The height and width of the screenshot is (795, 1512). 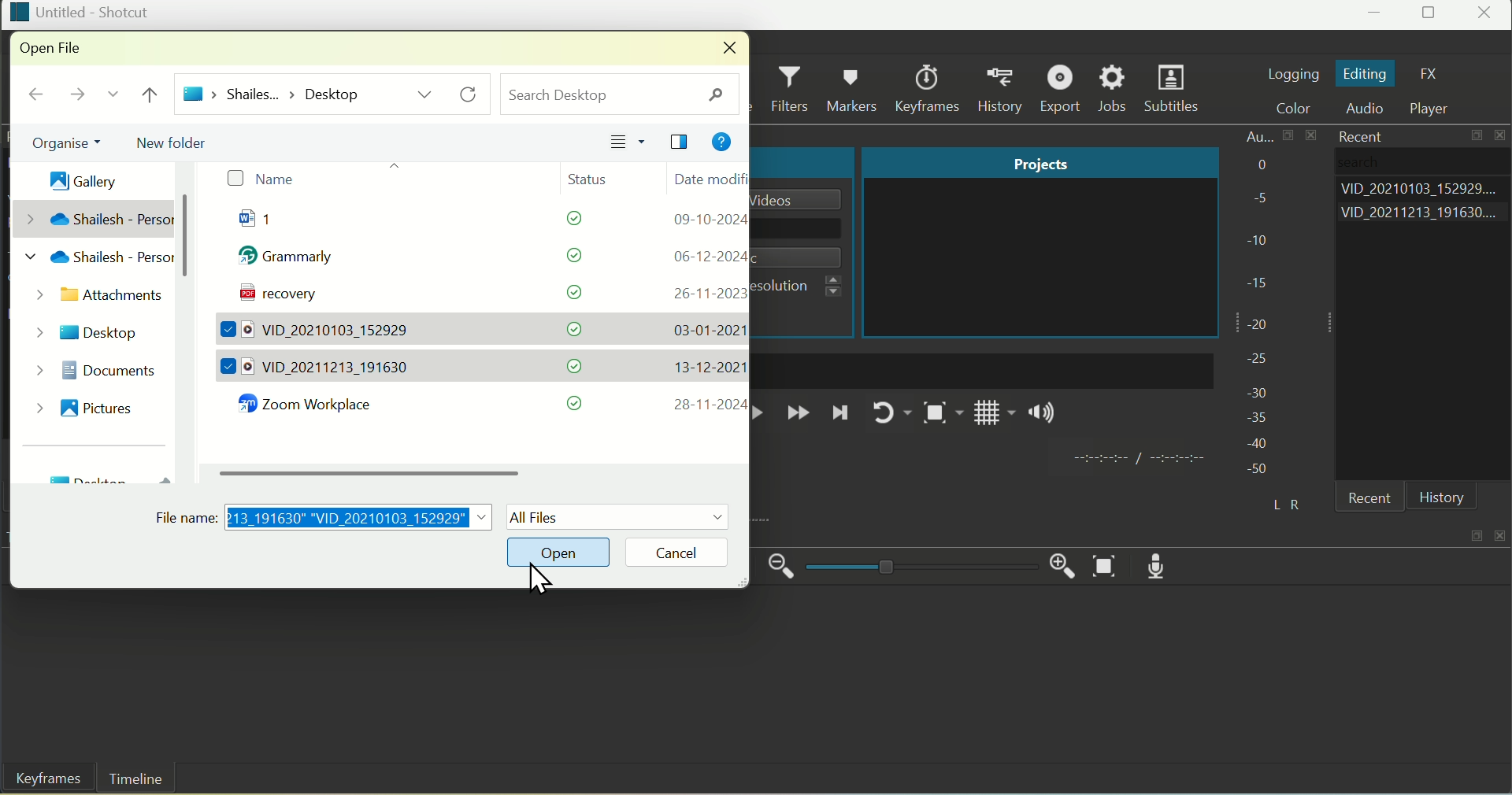 I want to click on Grid, so click(x=995, y=417).